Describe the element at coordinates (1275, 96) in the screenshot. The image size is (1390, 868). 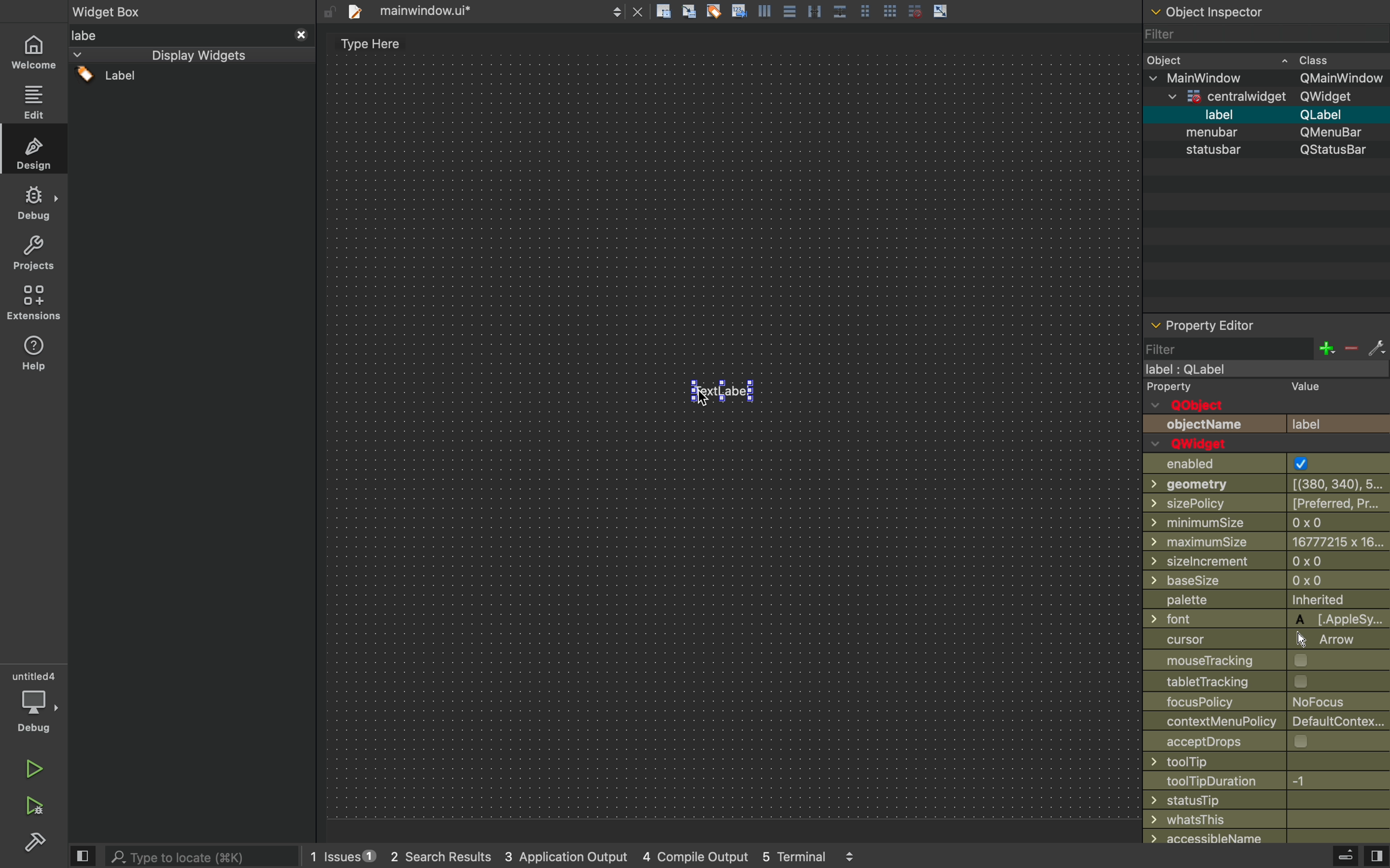
I see `widjget` at that location.